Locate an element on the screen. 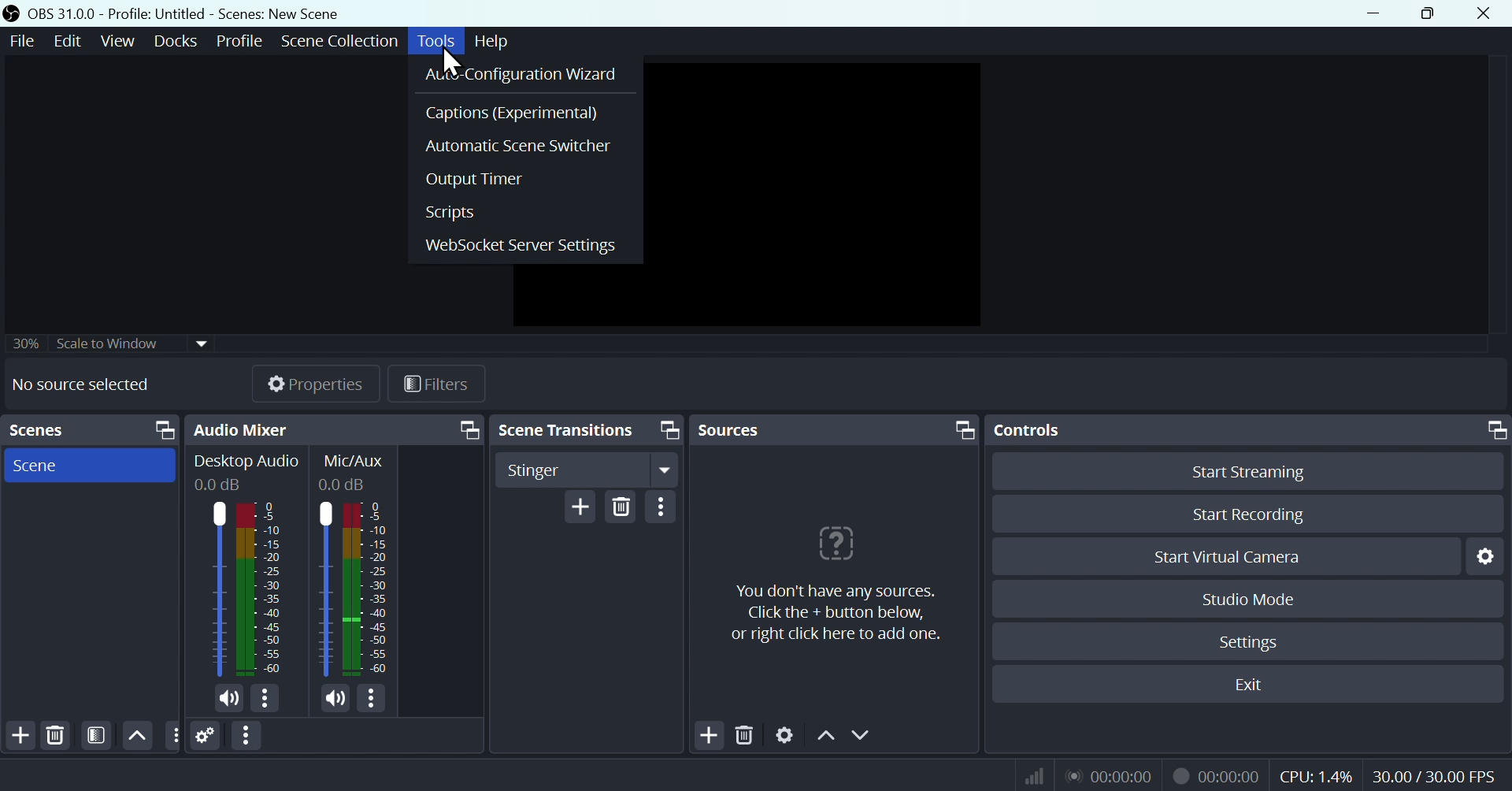 Image resolution: width=1512 pixels, height=791 pixels. Settings is located at coordinates (1247, 640).